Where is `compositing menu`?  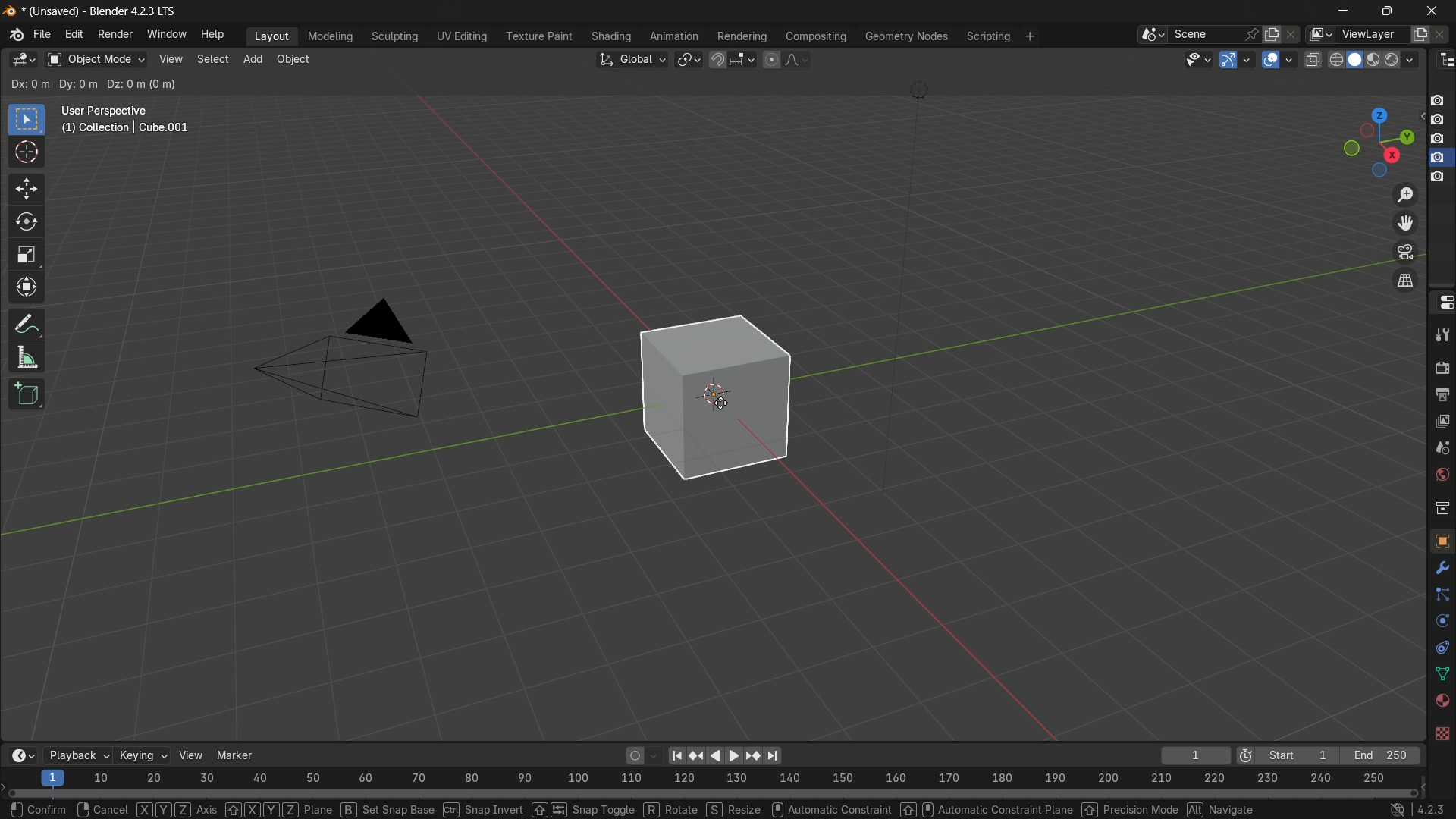 compositing menu is located at coordinates (815, 36).